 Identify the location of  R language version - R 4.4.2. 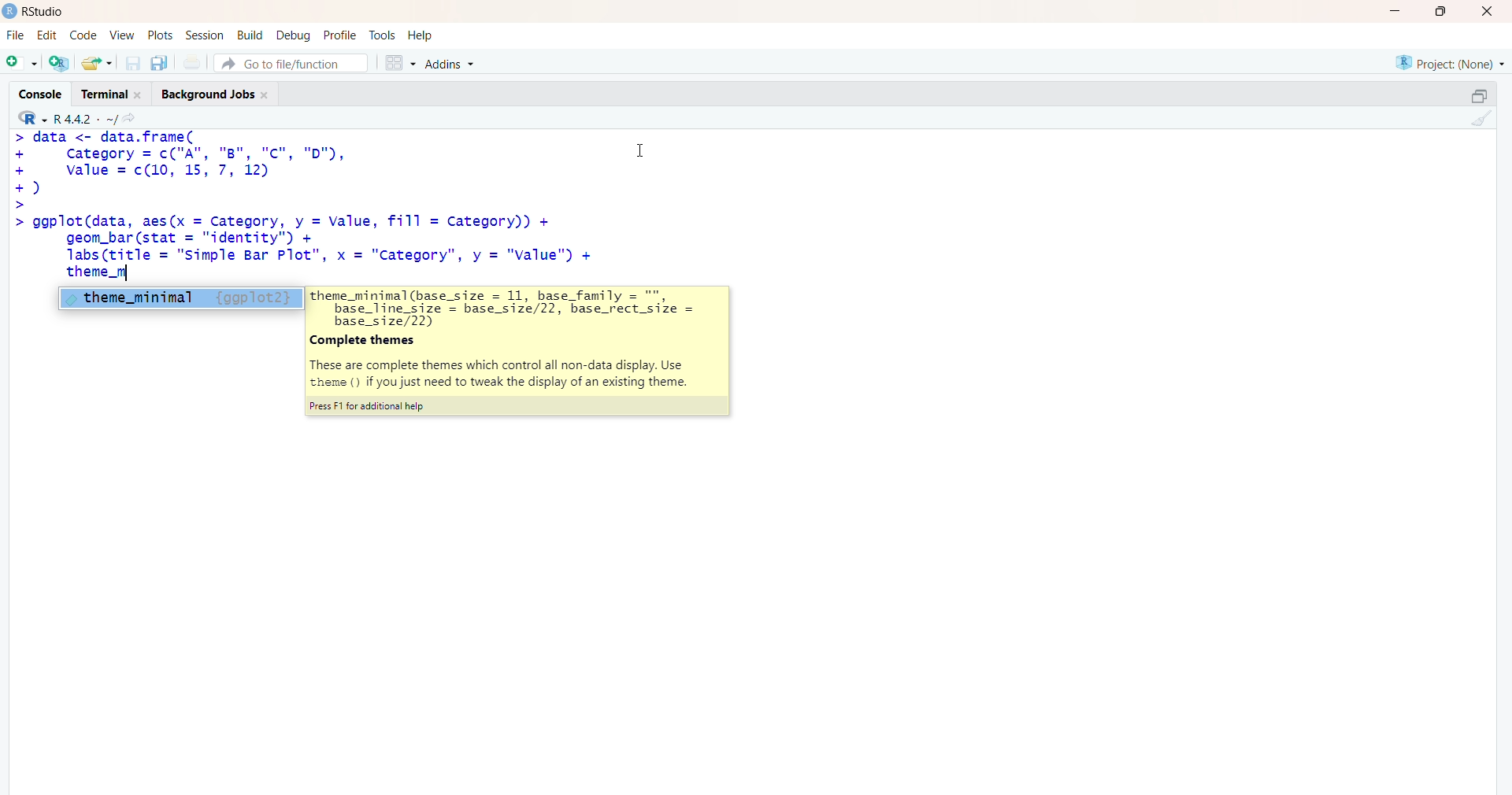
(85, 117).